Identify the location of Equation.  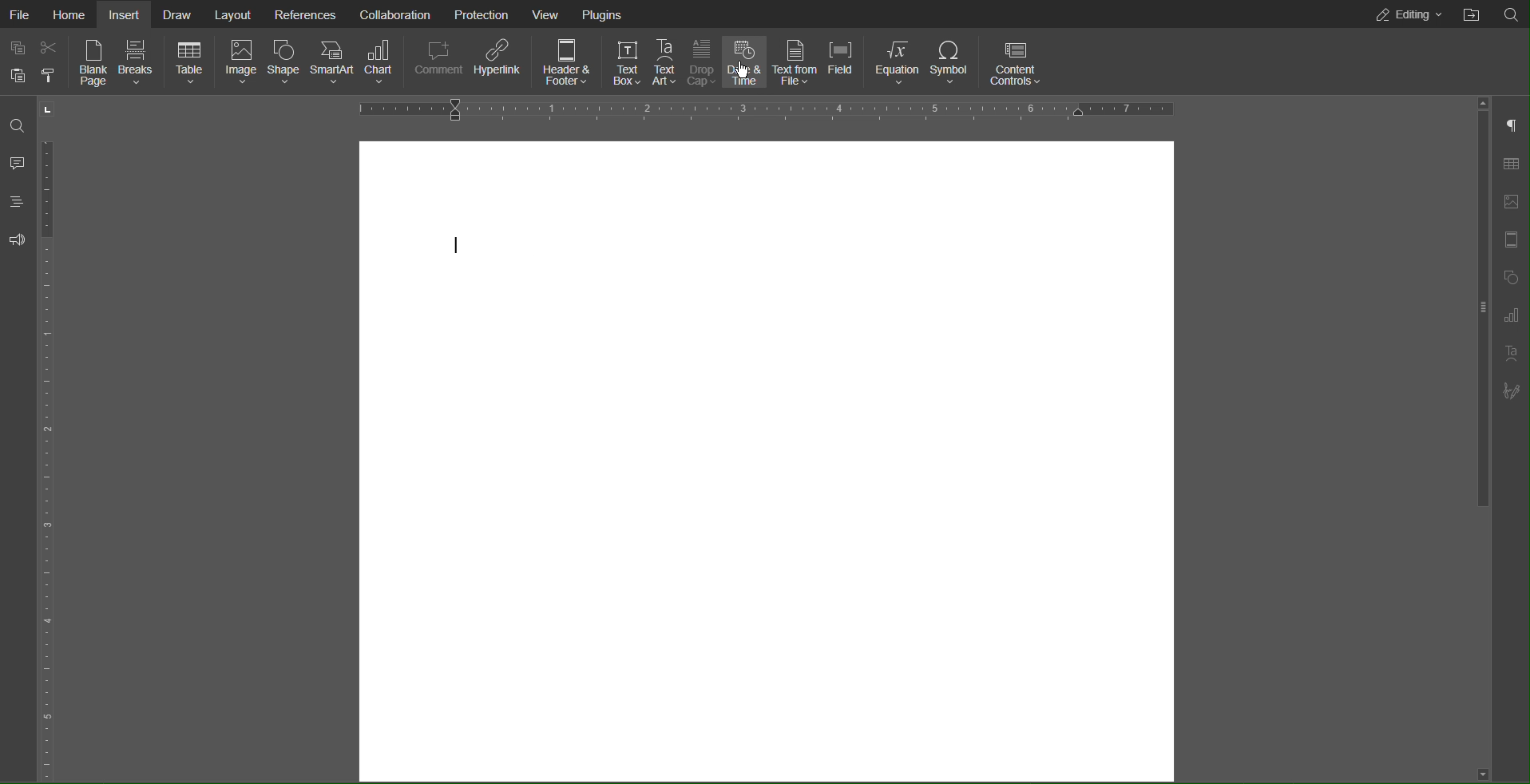
(898, 62).